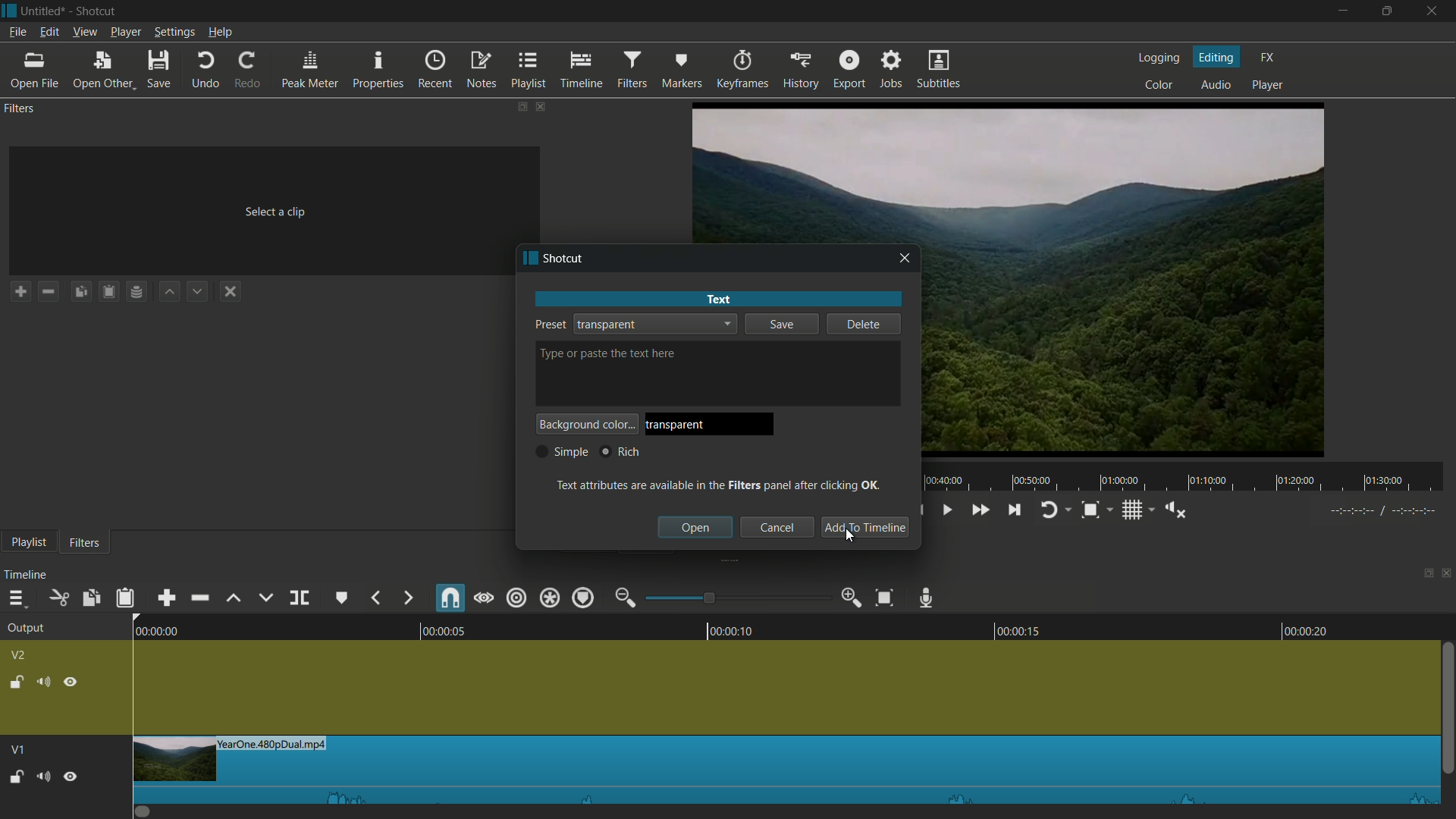  I want to click on add a filter, so click(20, 291).